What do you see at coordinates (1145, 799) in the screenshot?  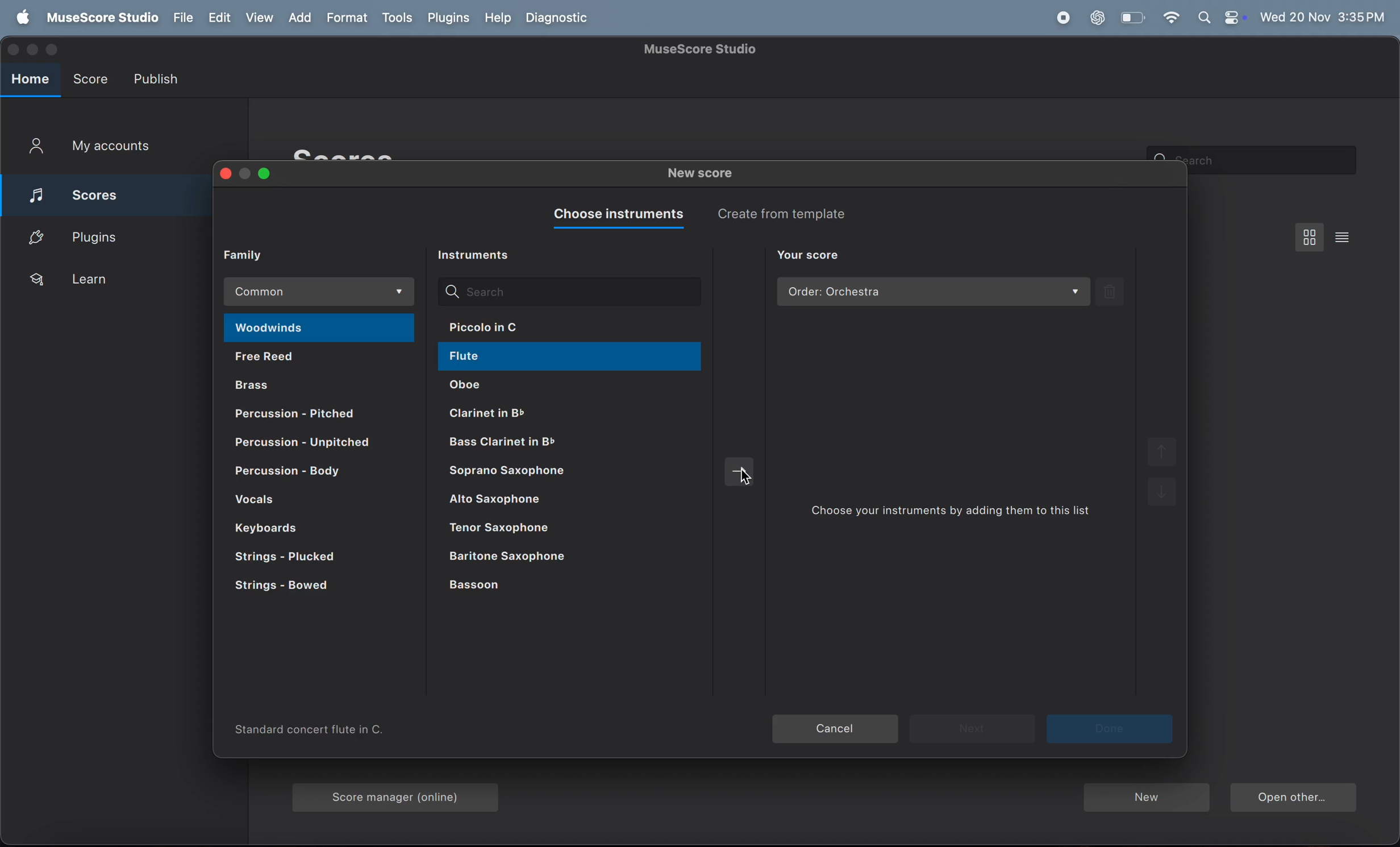 I see `new` at bounding box center [1145, 799].